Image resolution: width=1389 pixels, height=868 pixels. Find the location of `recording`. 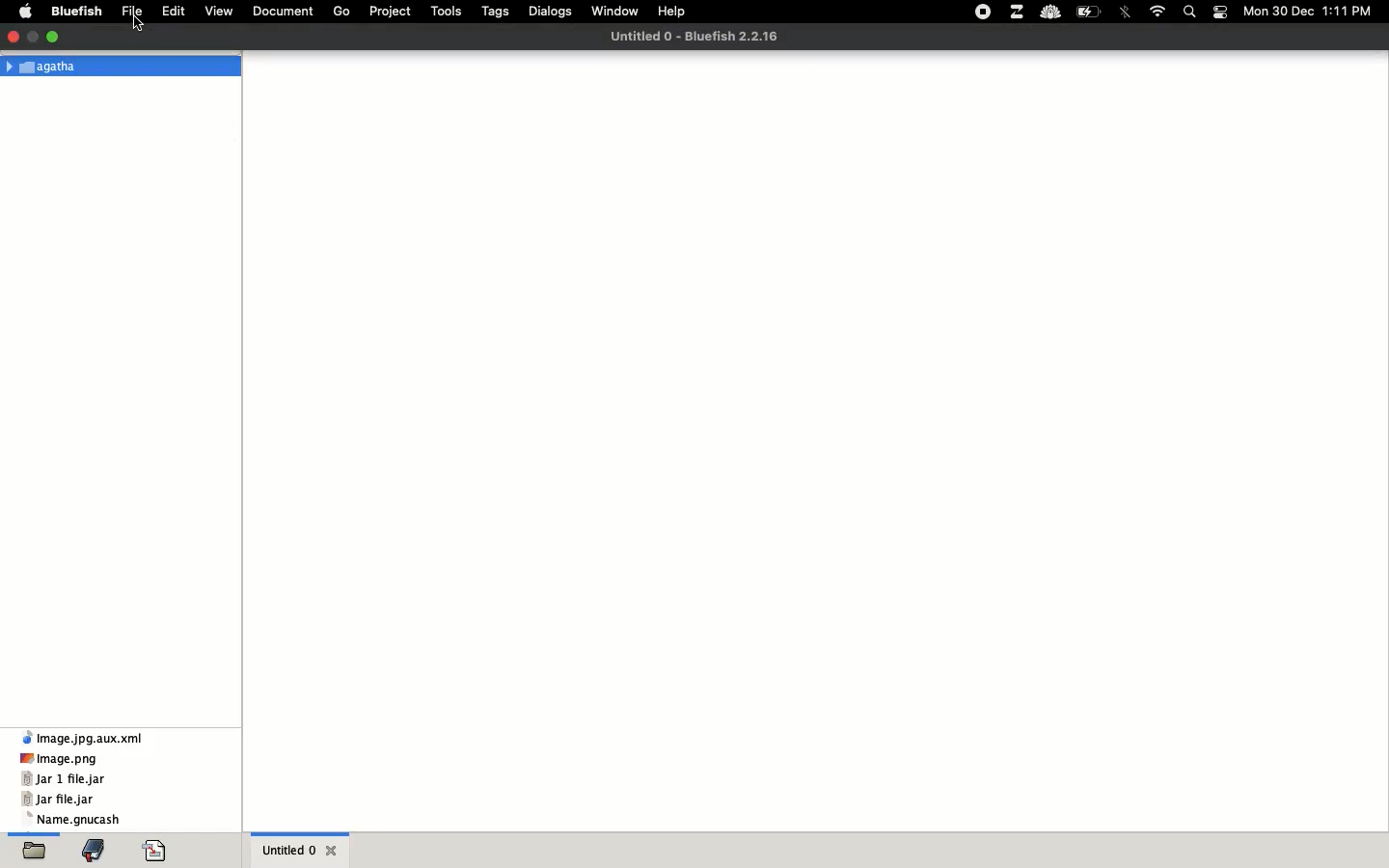

recording is located at coordinates (984, 14).